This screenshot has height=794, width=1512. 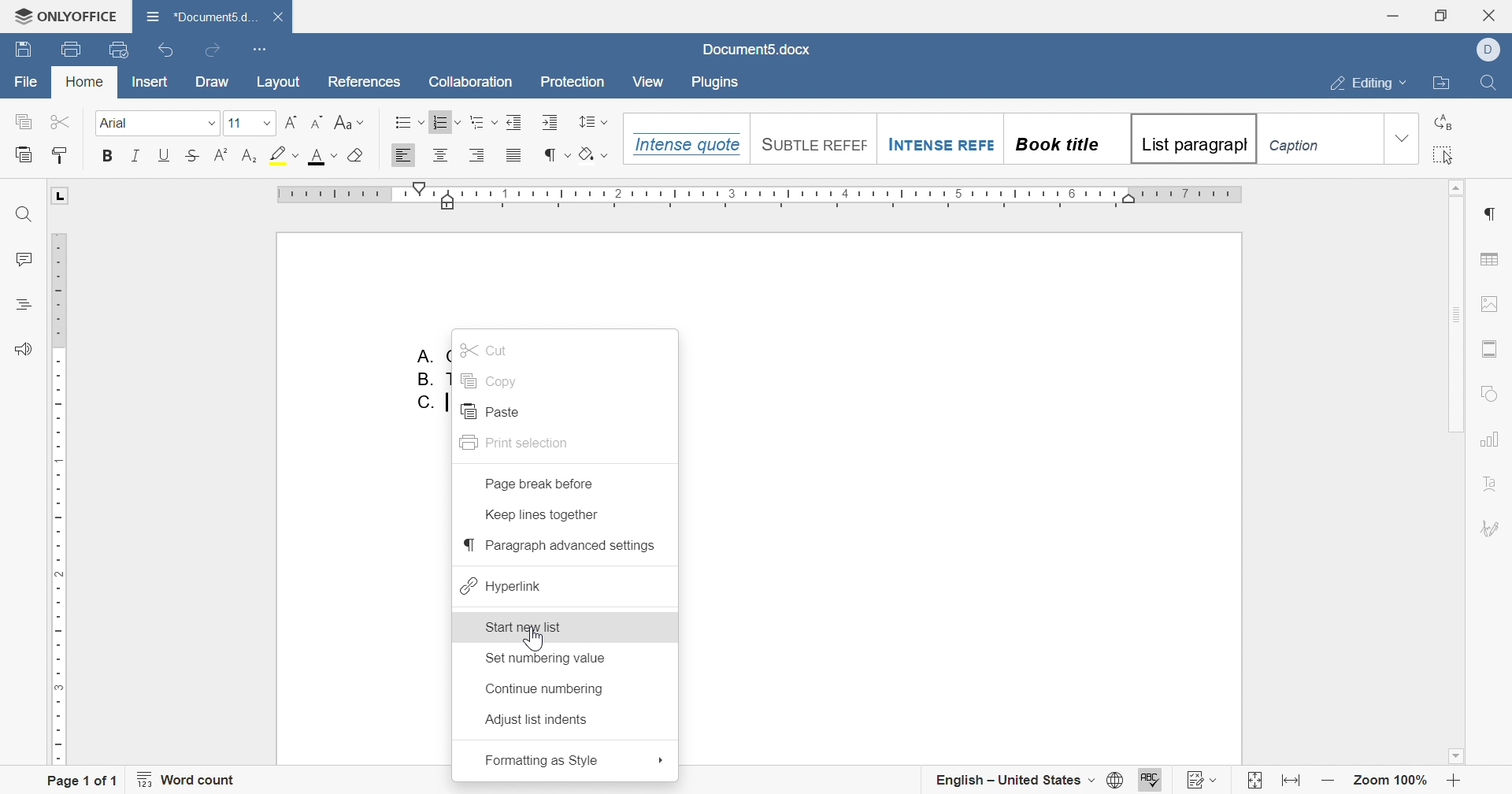 I want to click on paste, so click(x=23, y=153).